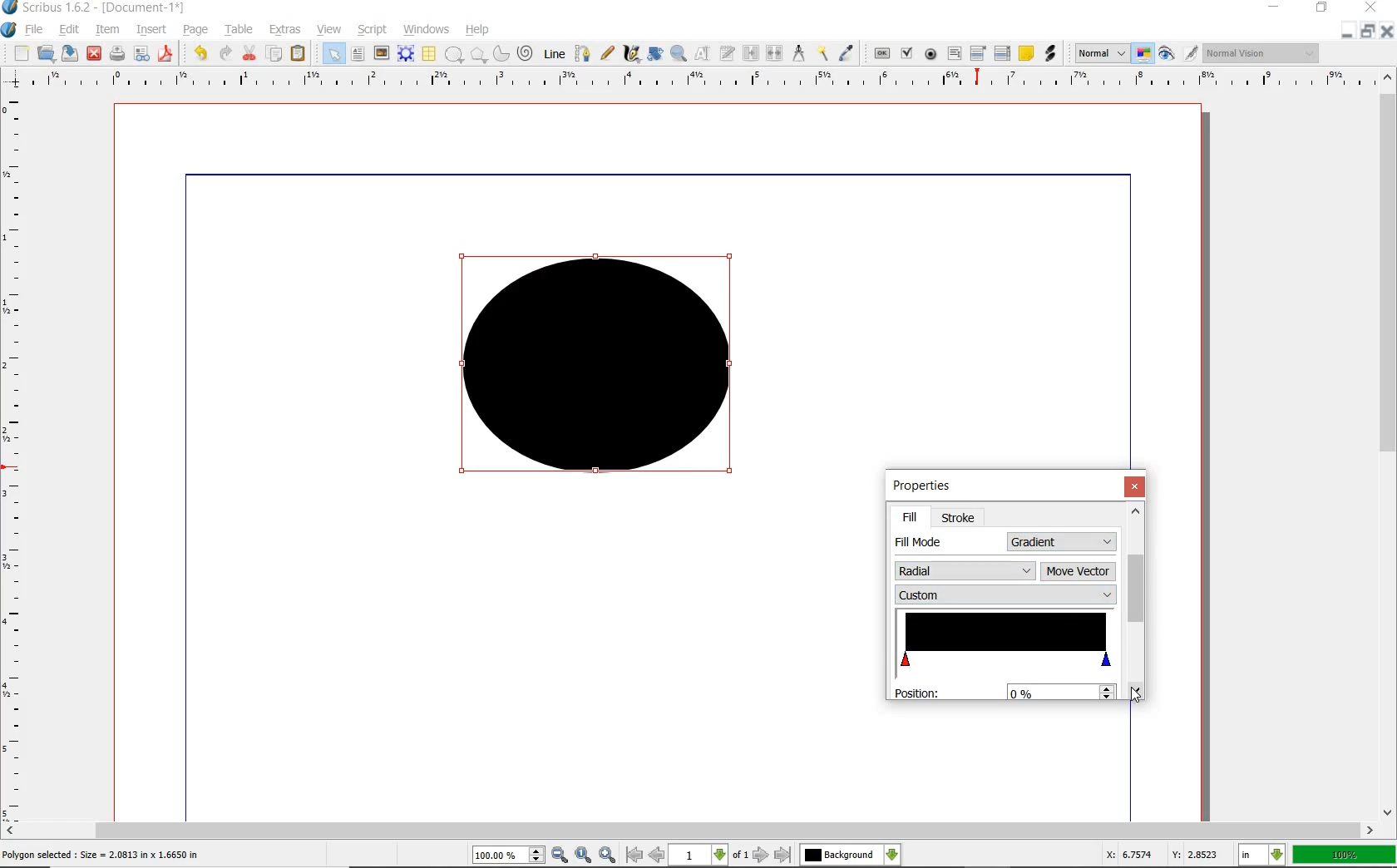 The image size is (1397, 868). I want to click on RULER, so click(14, 461).